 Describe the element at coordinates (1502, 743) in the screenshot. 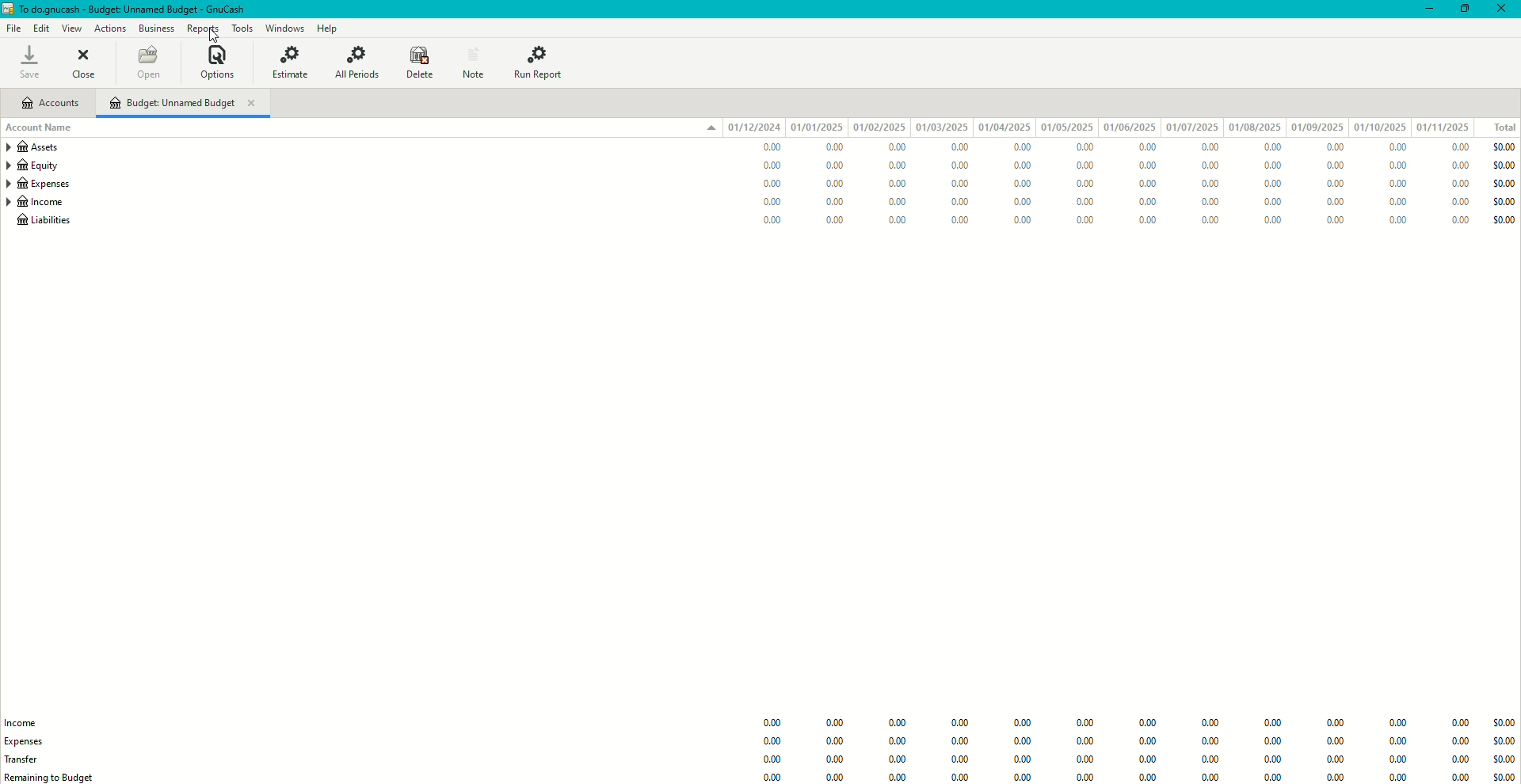

I see `$0.00` at that location.